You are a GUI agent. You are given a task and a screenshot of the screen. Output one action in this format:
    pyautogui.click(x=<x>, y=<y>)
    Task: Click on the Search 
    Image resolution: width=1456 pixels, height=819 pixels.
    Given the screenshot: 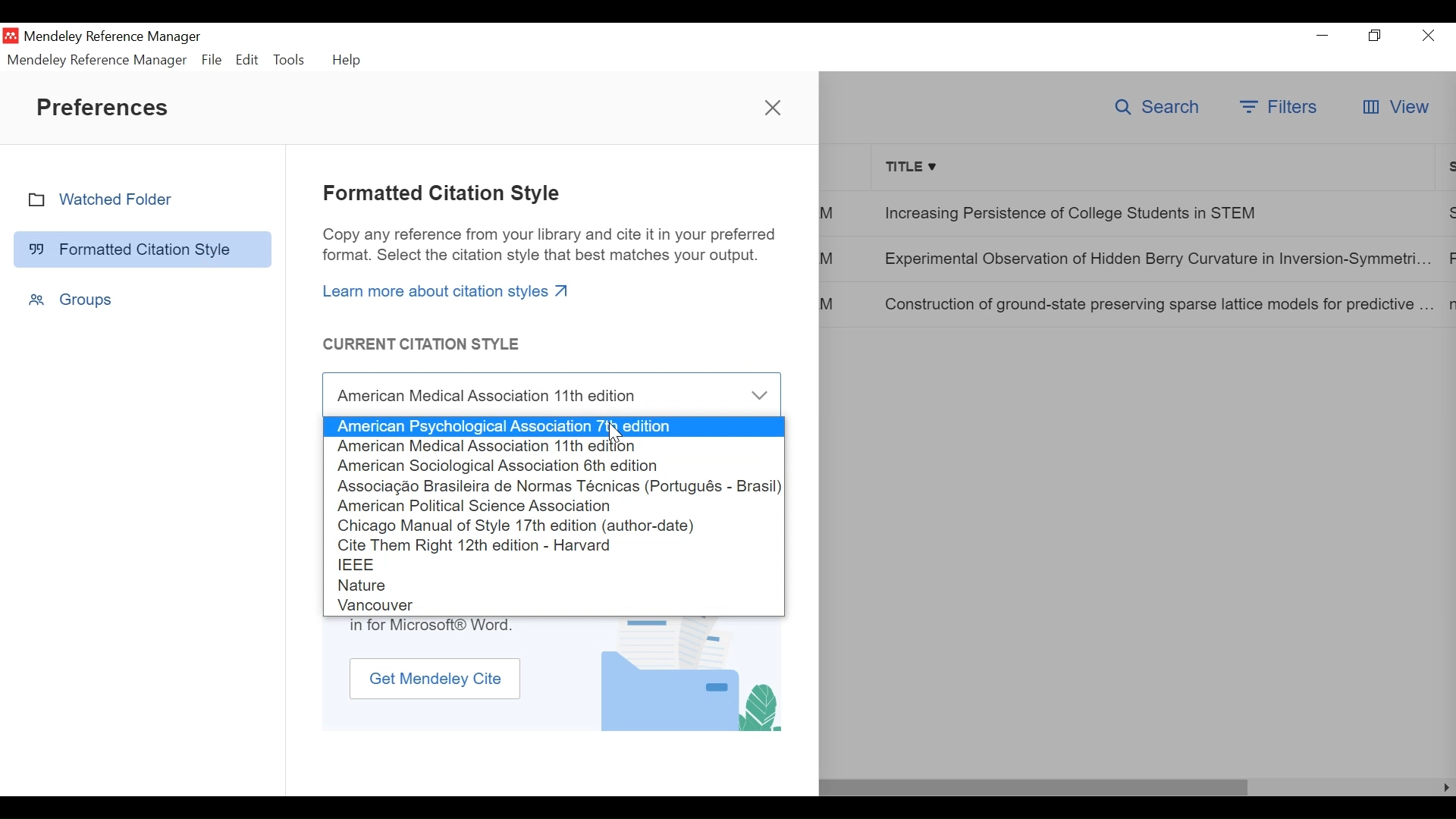 What is the action you would take?
    pyautogui.click(x=1159, y=108)
    